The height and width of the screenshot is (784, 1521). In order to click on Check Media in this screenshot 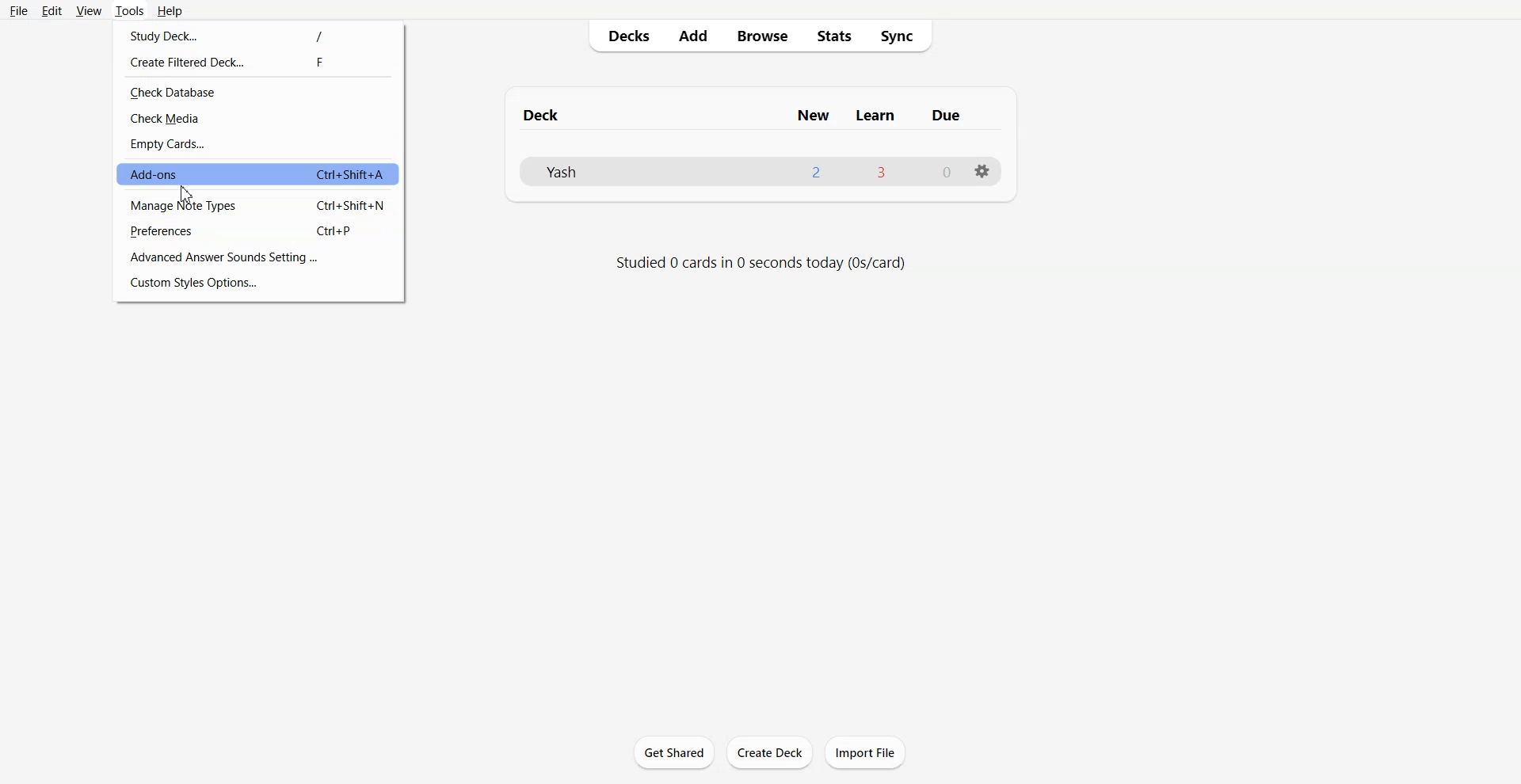, I will do `click(260, 118)`.